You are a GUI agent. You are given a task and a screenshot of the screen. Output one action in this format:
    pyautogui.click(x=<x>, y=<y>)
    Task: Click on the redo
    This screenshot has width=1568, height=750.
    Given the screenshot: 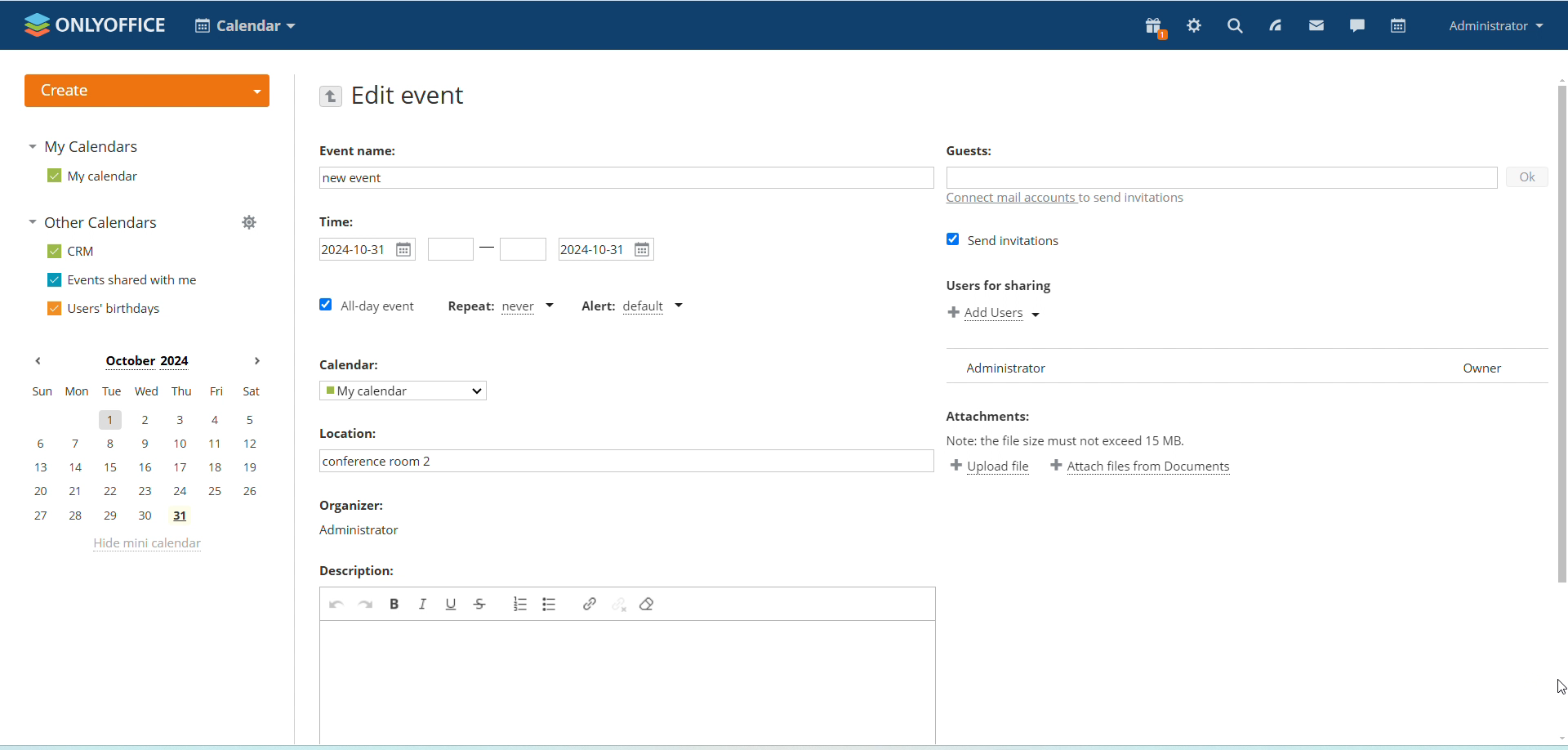 What is the action you would take?
    pyautogui.click(x=366, y=603)
    